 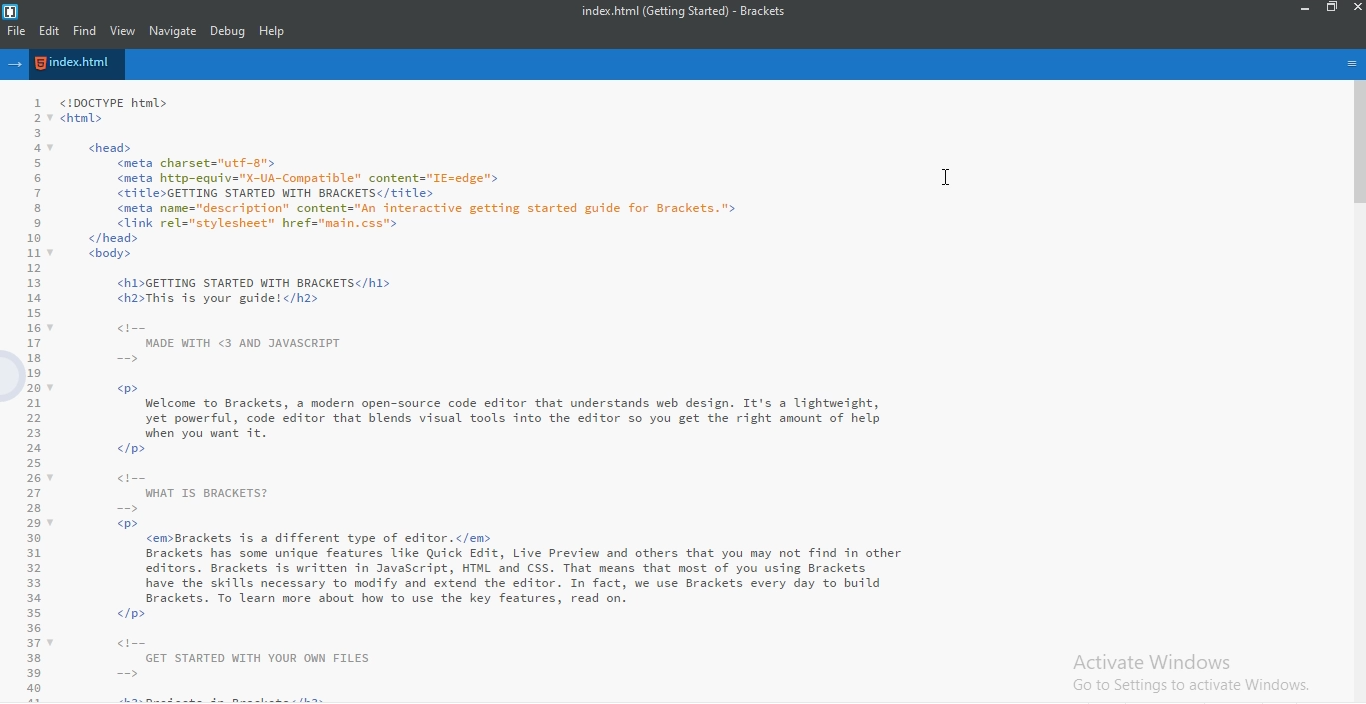 What do you see at coordinates (83, 31) in the screenshot?
I see `find` at bounding box center [83, 31].